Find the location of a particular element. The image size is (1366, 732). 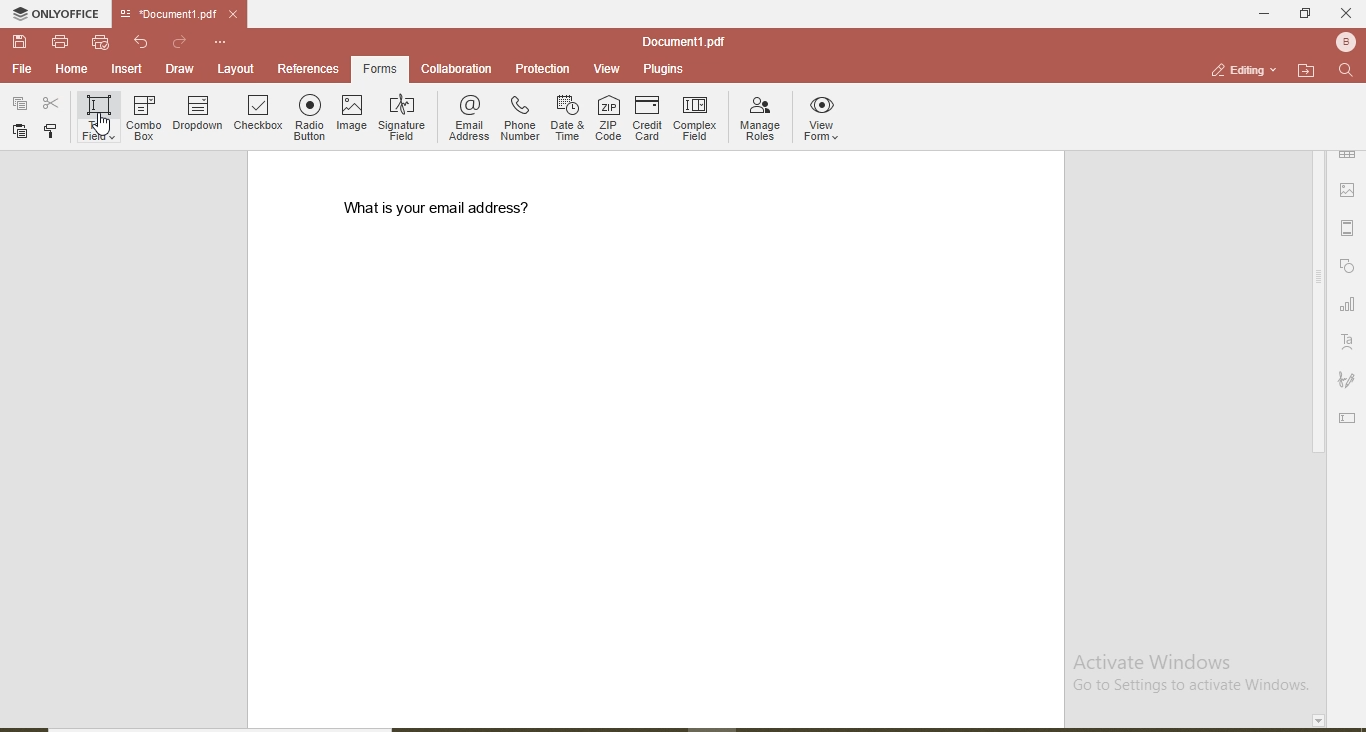

page down is located at coordinates (1316, 721).